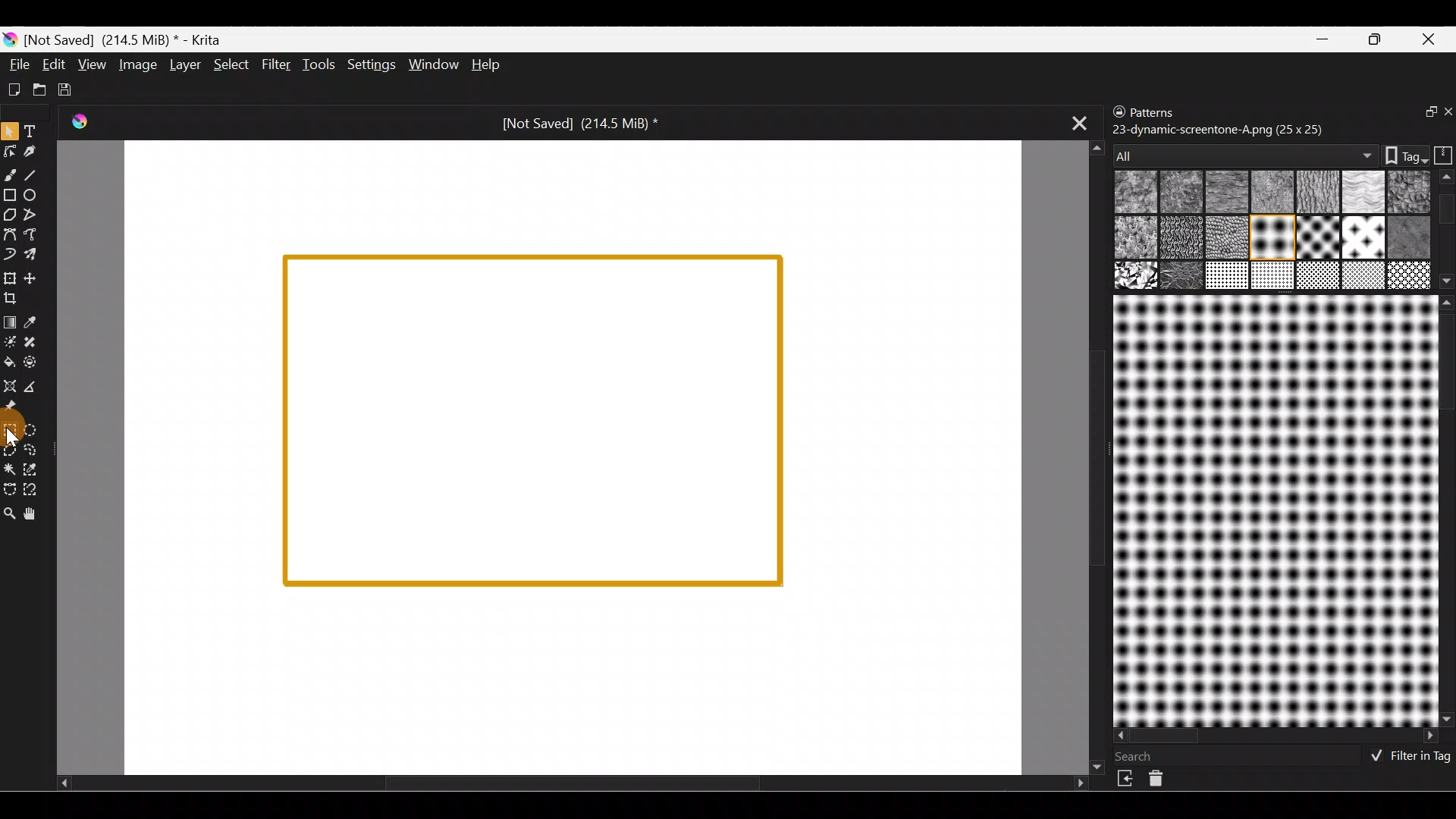 The width and height of the screenshot is (1456, 819). I want to click on Line tool, so click(38, 174).